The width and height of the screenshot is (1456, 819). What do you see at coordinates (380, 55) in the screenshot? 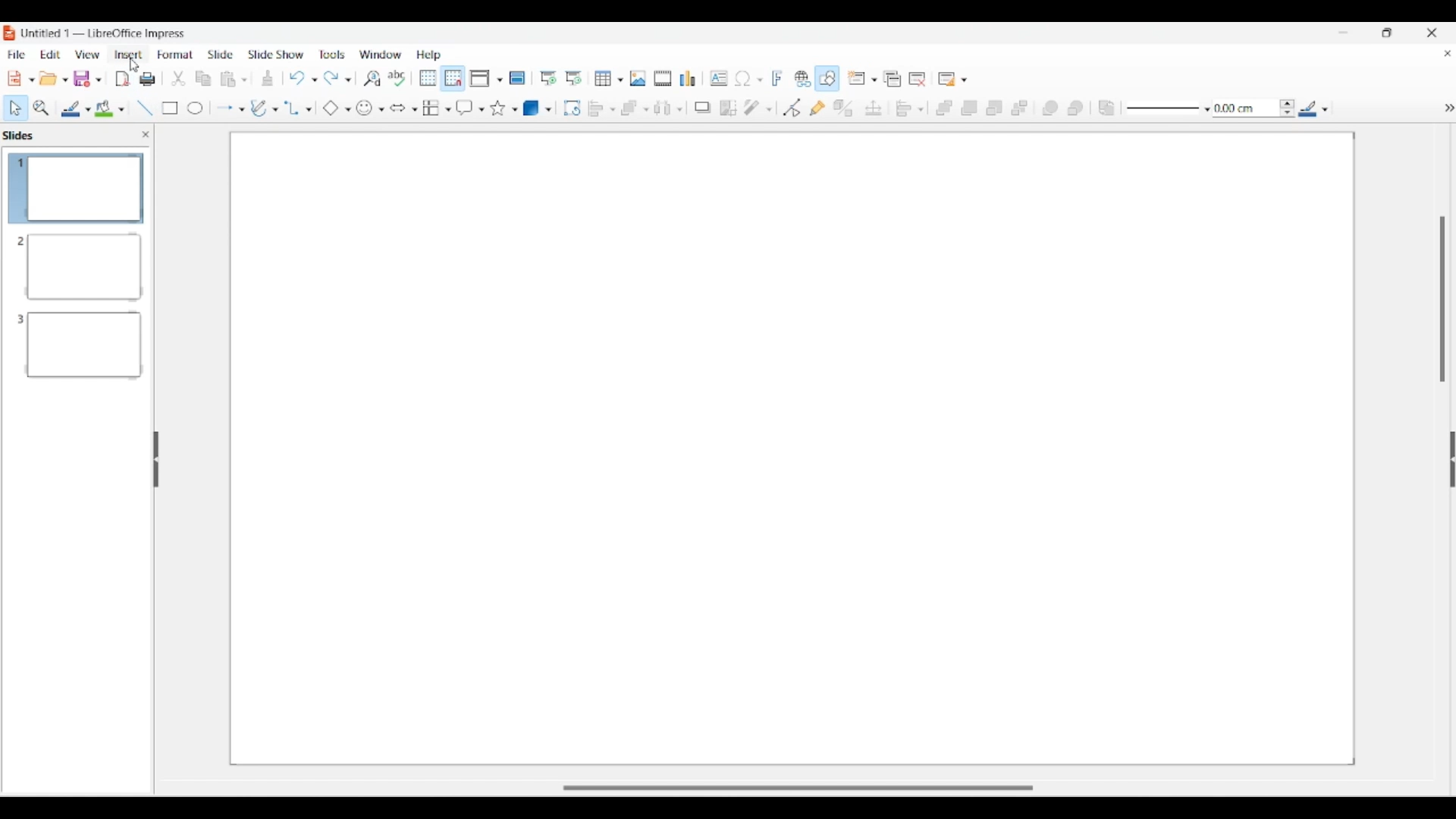
I see `Window menu` at bounding box center [380, 55].